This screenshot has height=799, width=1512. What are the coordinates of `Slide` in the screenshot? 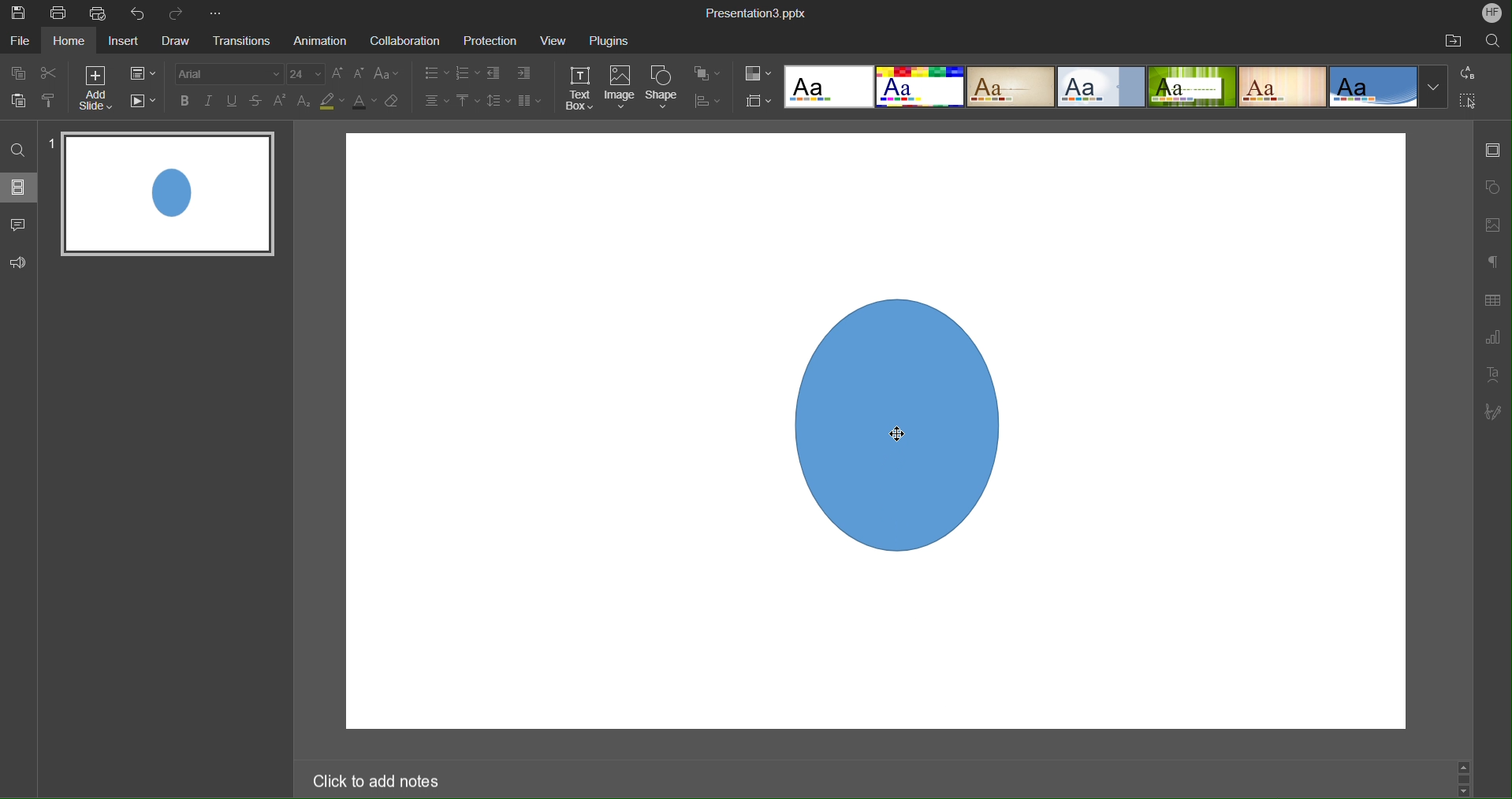 It's located at (169, 194).